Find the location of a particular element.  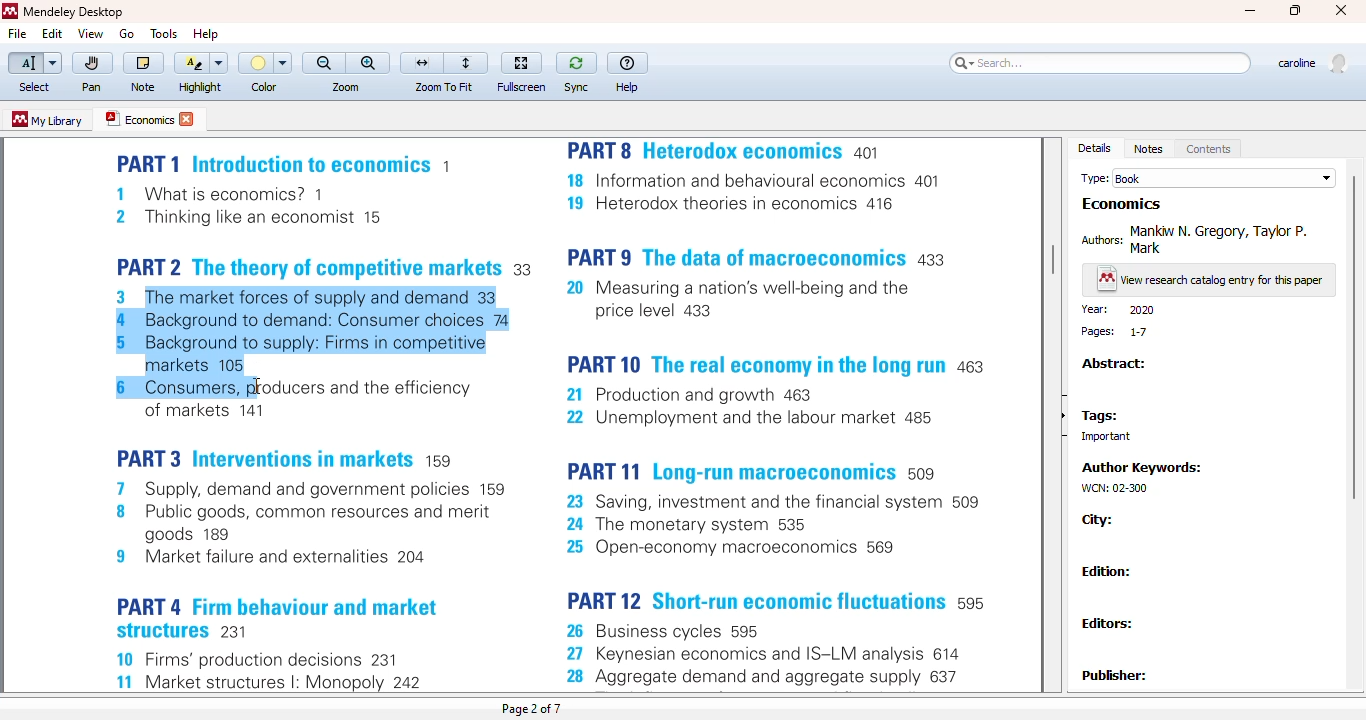

contents is located at coordinates (1209, 149).